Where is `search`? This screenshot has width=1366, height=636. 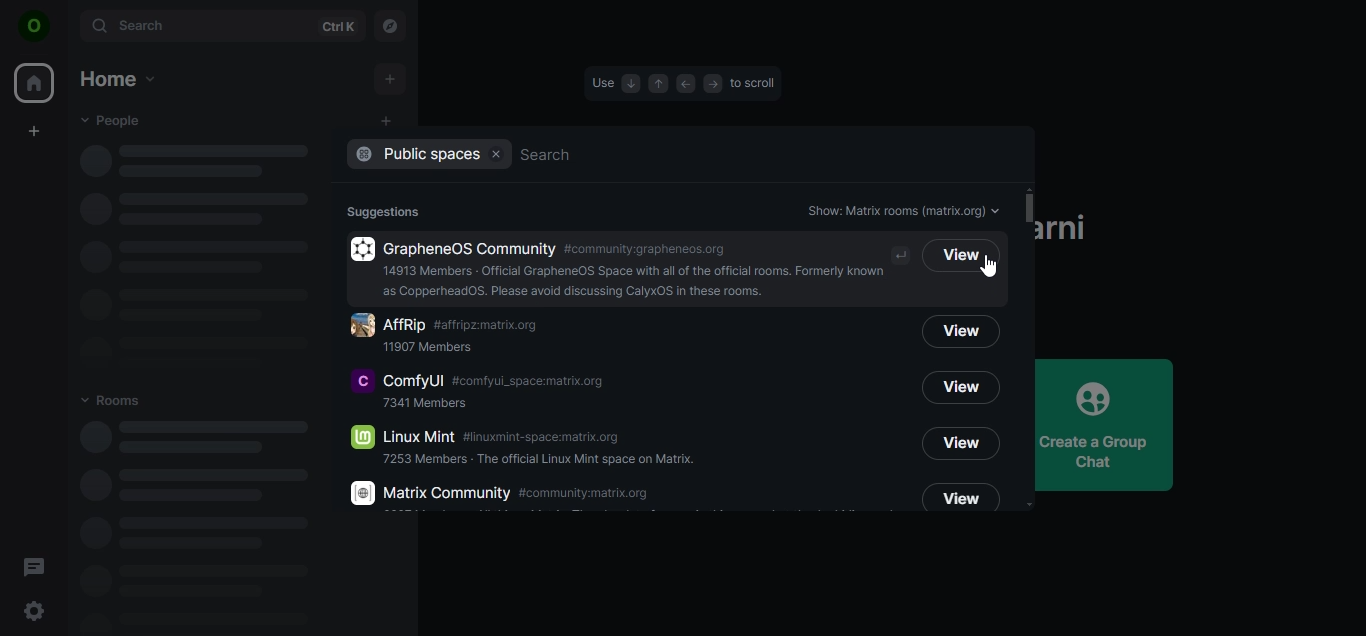
search is located at coordinates (221, 27).